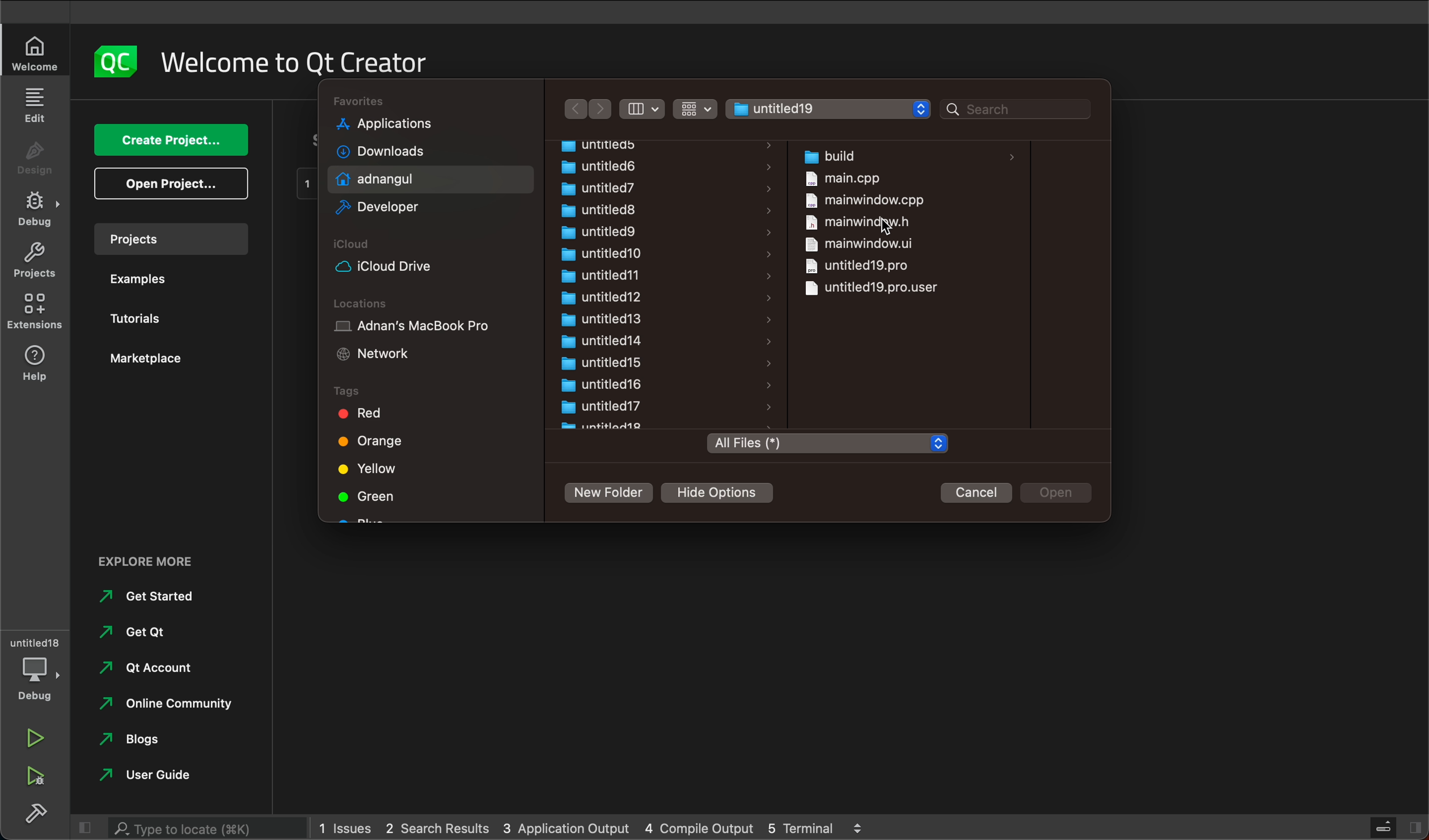 Image resolution: width=1429 pixels, height=840 pixels. What do you see at coordinates (613, 495) in the screenshot?
I see `new folder` at bounding box center [613, 495].